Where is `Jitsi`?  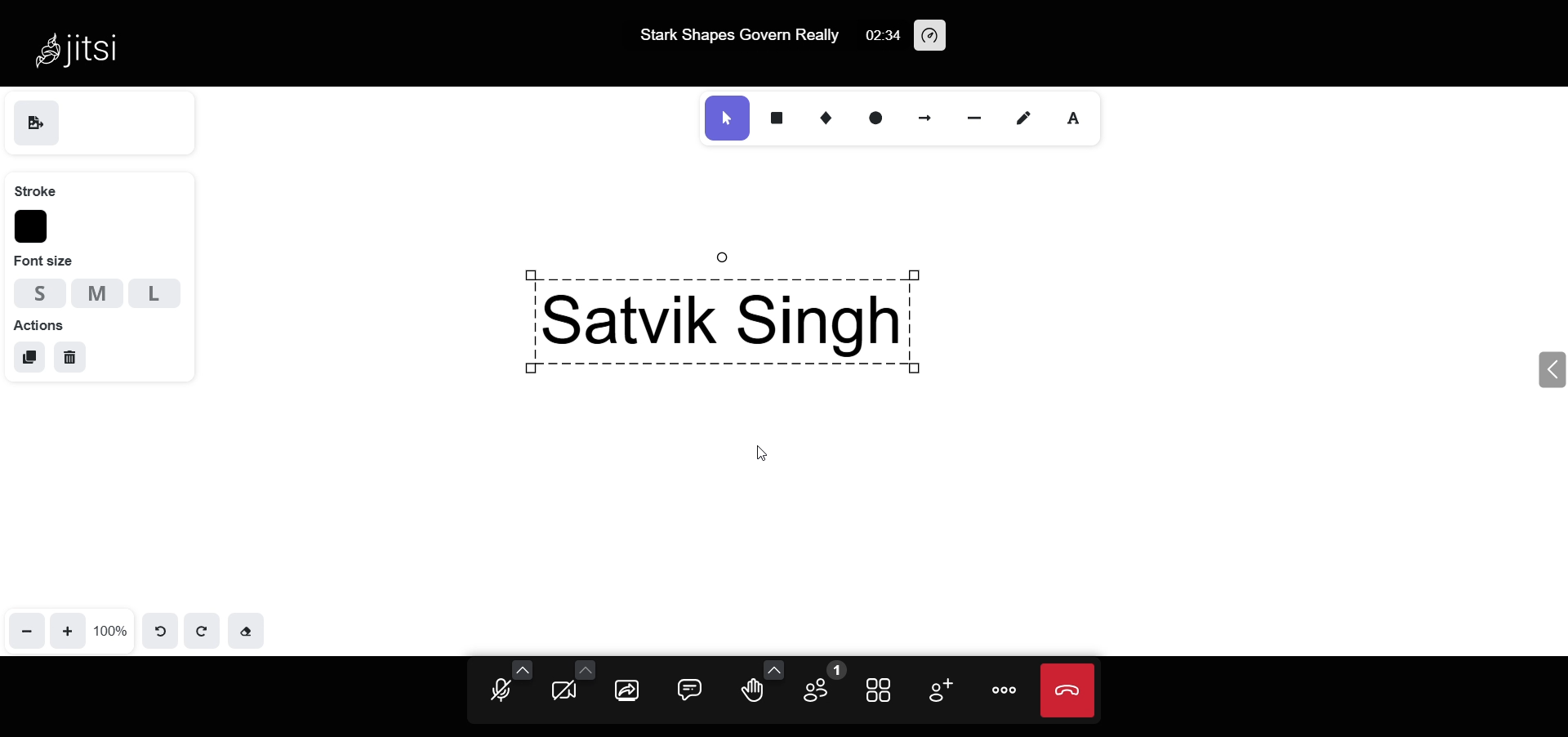
Jitsi is located at coordinates (82, 42).